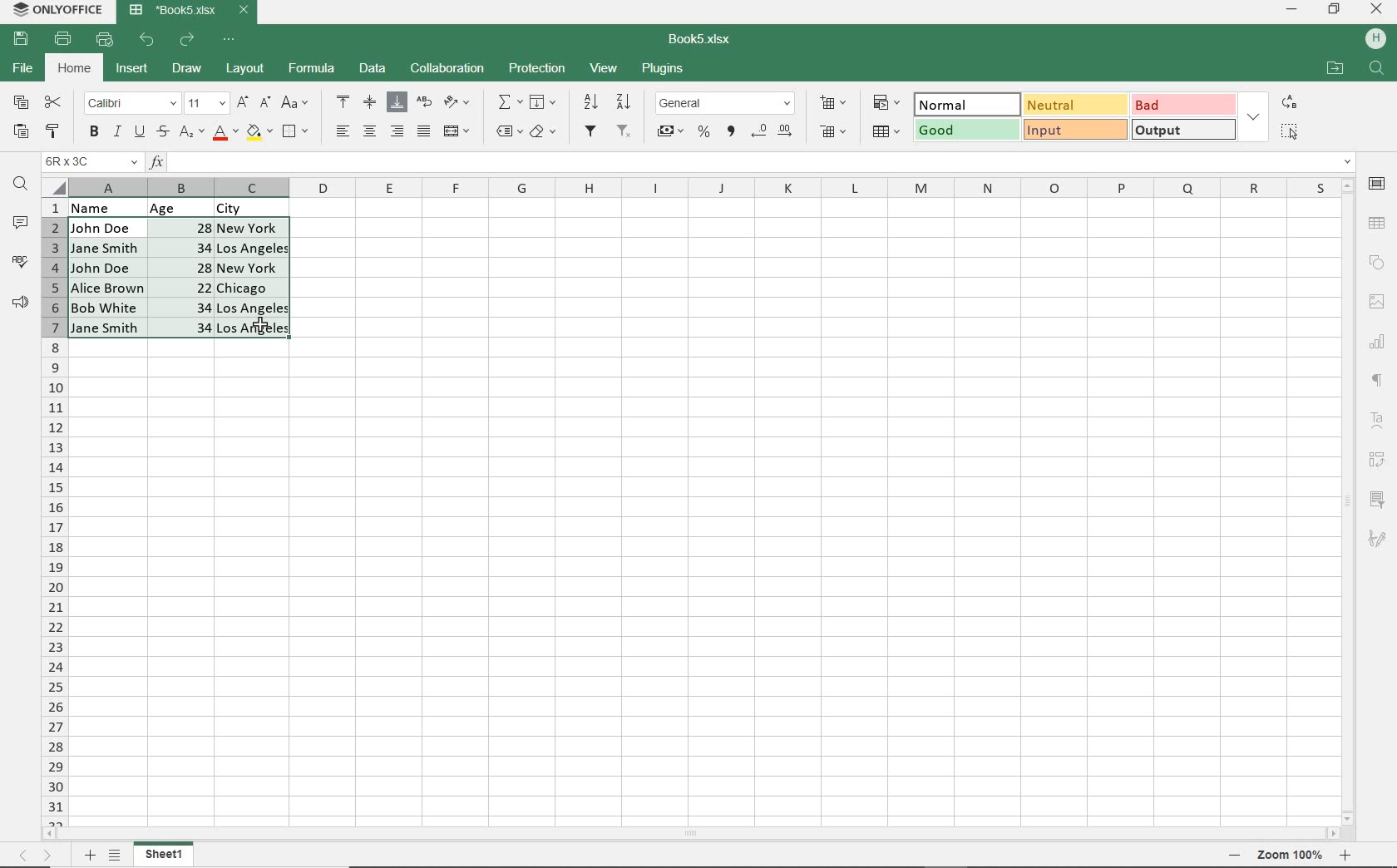 The width and height of the screenshot is (1397, 868). What do you see at coordinates (592, 102) in the screenshot?
I see `SORTASCENDING` at bounding box center [592, 102].